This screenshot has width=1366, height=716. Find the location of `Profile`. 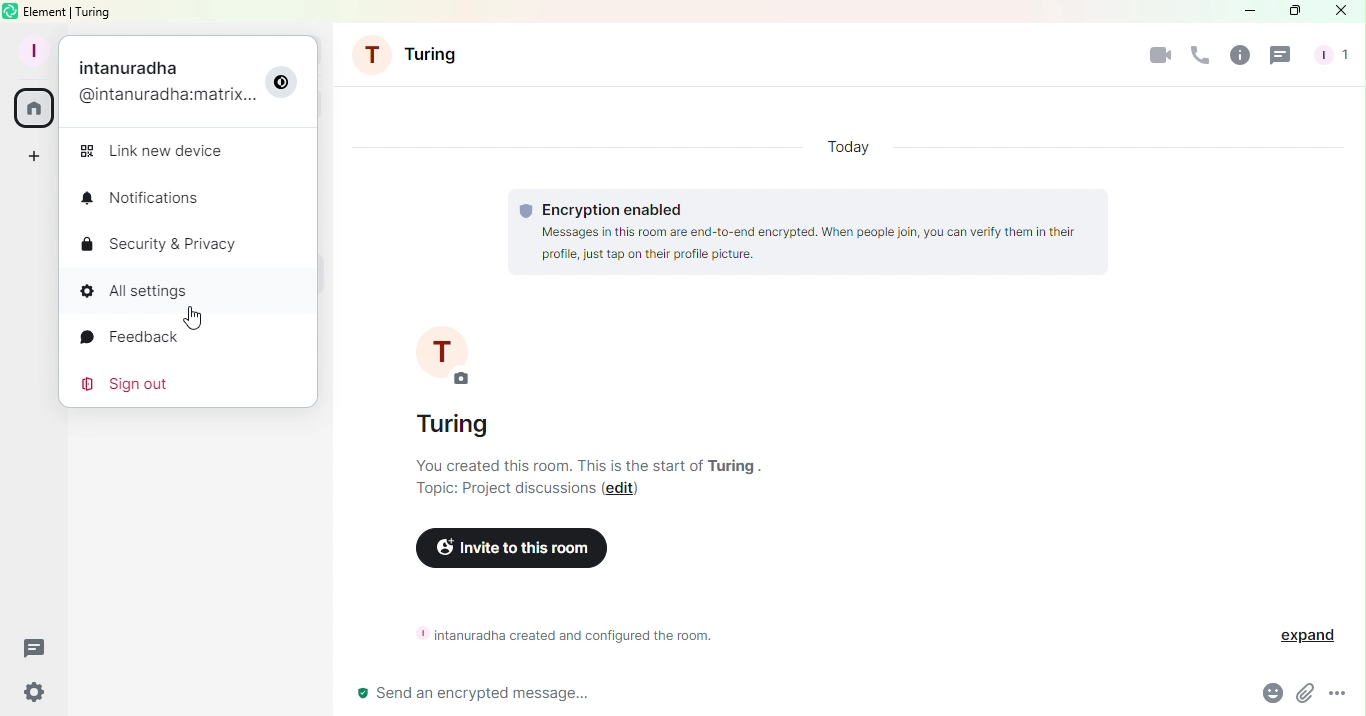

Profile is located at coordinates (187, 78).